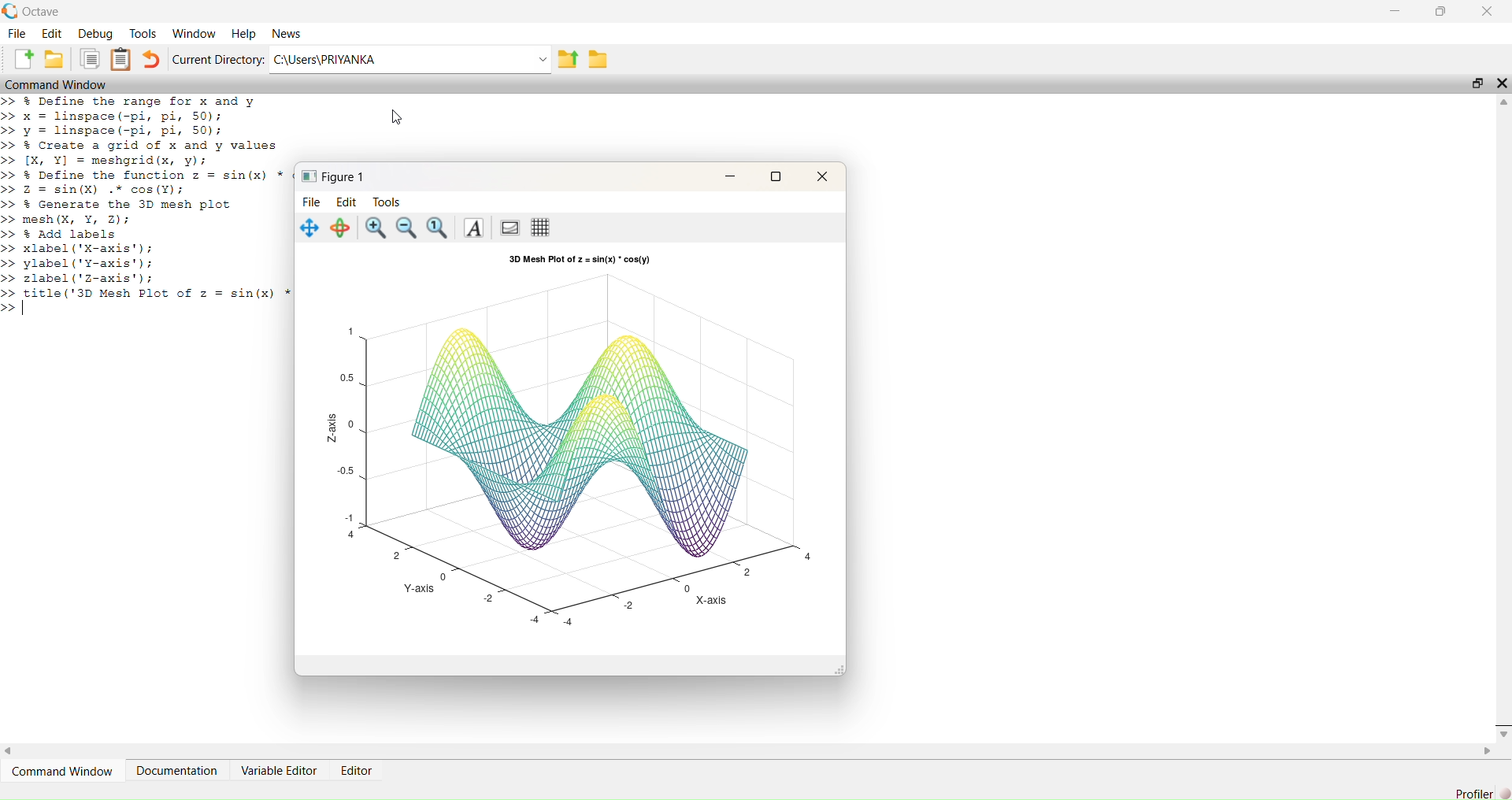  What do you see at coordinates (1503, 83) in the screenshot?
I see `Close` at bounding box center [1503, 83].